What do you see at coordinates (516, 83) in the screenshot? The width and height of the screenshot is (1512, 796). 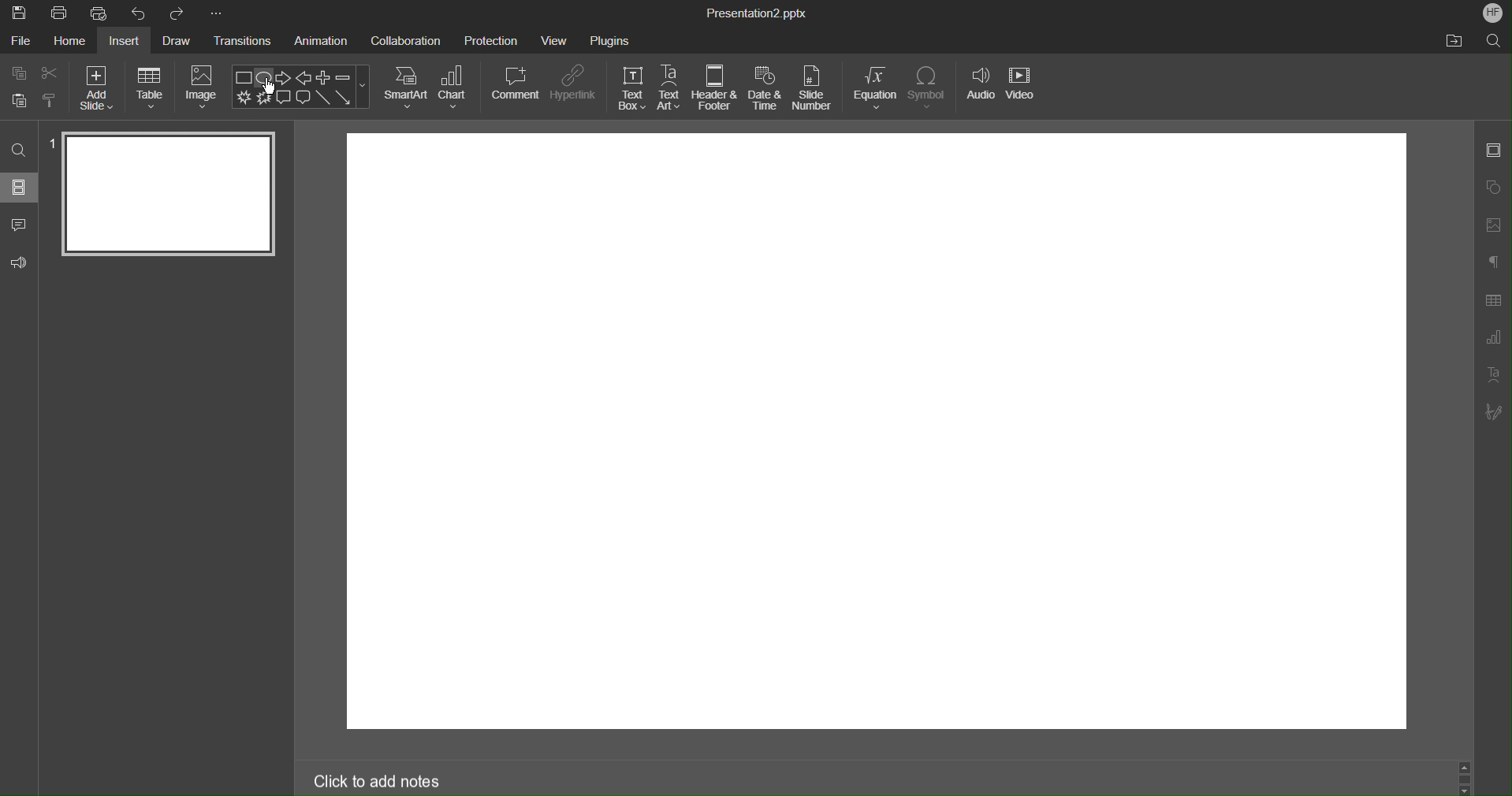 I see `Comment` at bounding box center [516, 83].